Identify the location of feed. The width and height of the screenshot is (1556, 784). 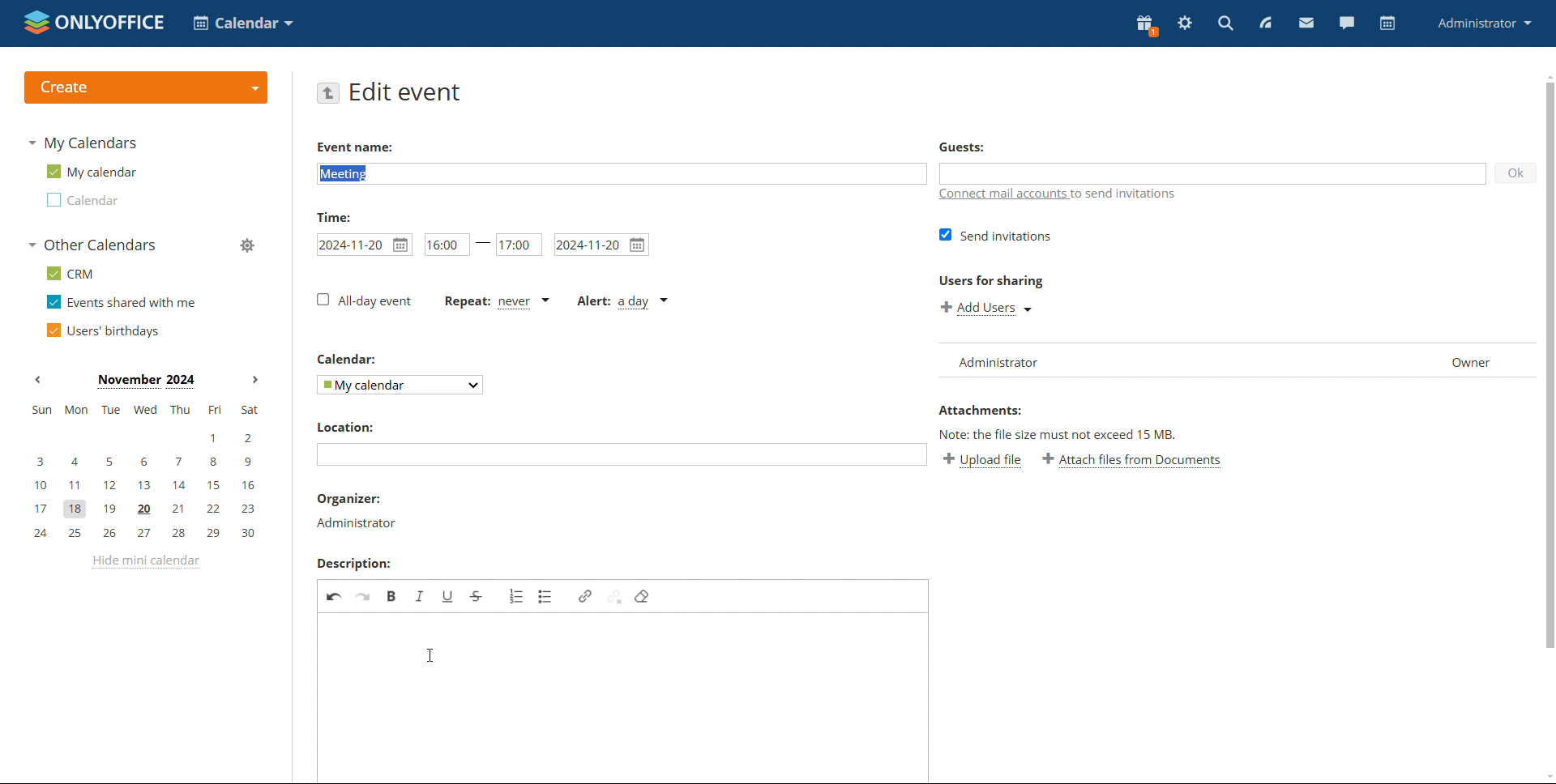
(1269, 22).